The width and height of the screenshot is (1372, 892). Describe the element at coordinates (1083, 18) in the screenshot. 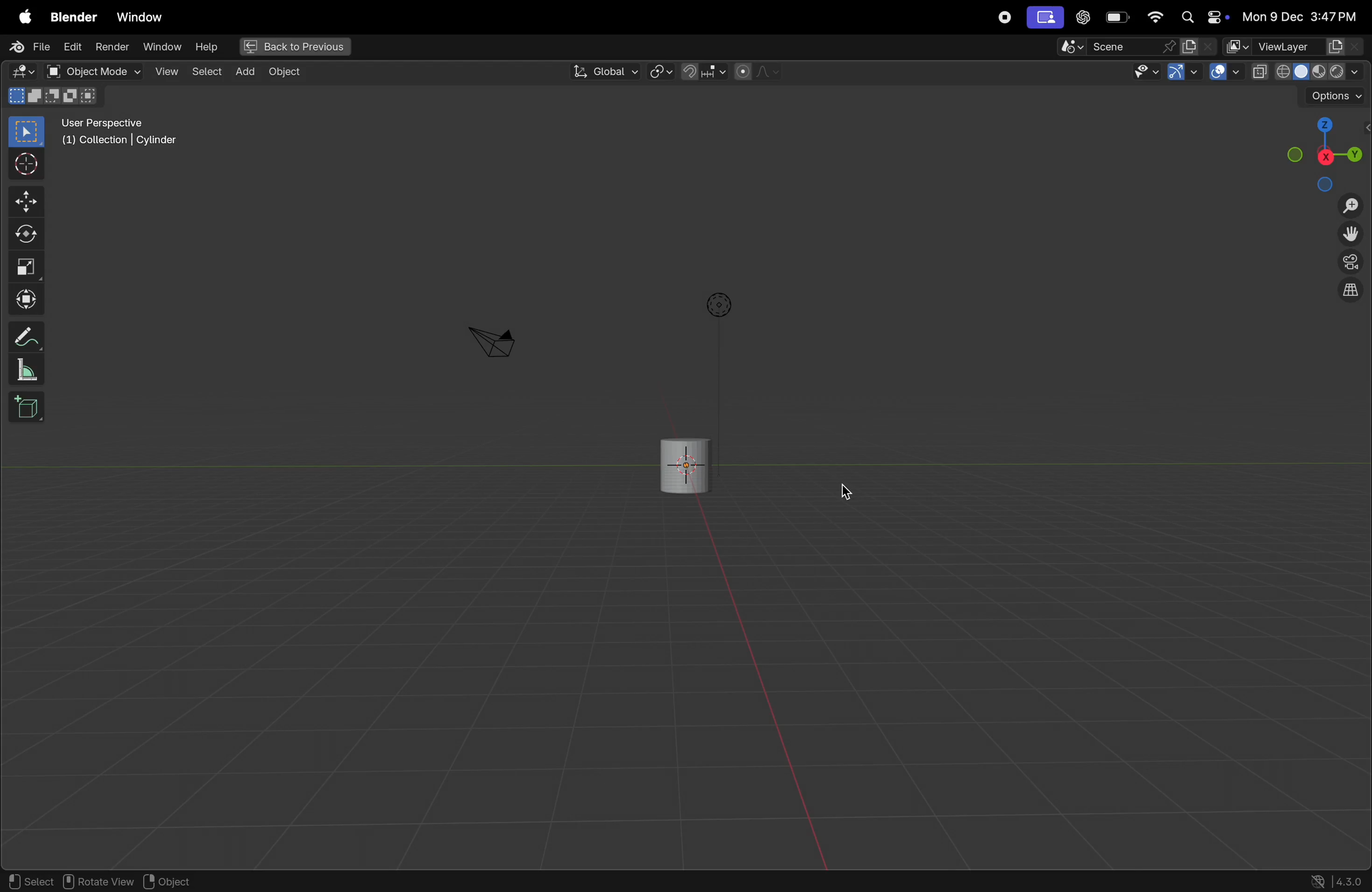

I see `chatgpt` at that location.